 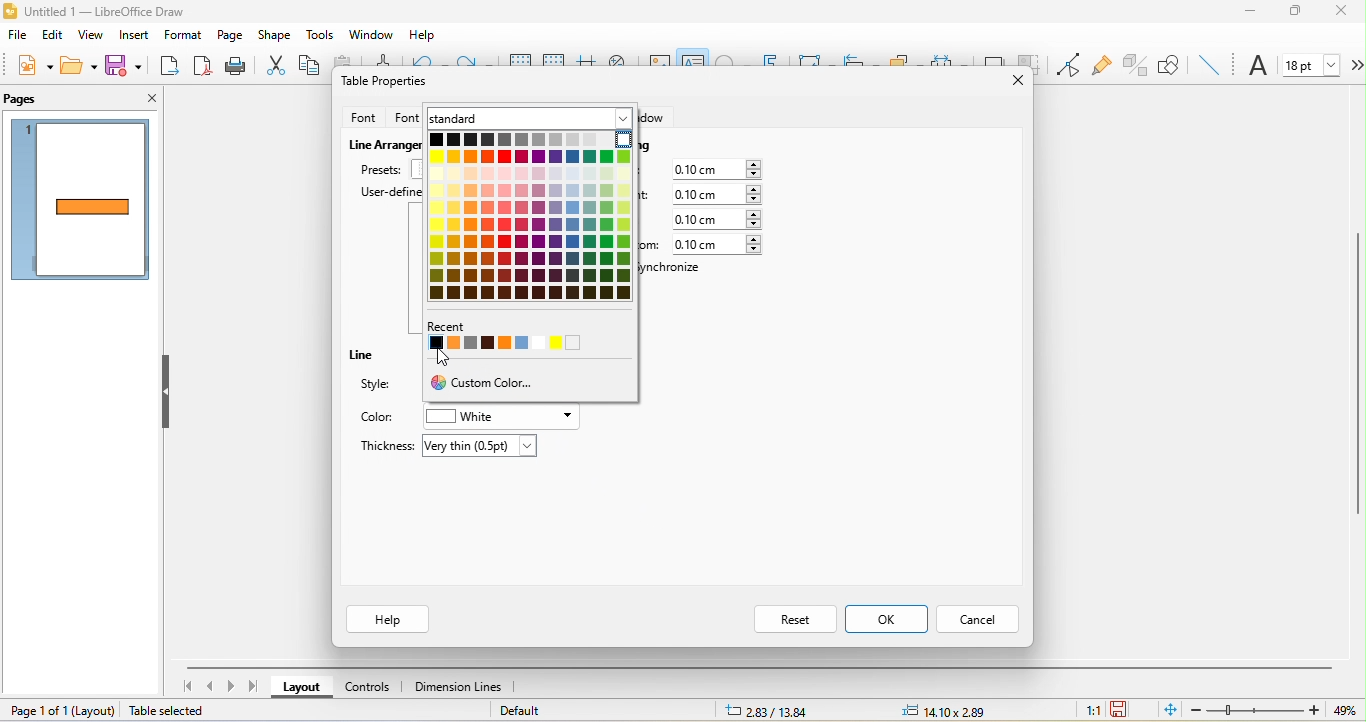 What do you see at coordinates (722, 168) in the screenshot?
I see `0.10 cm` at bounding box center [722, 168].